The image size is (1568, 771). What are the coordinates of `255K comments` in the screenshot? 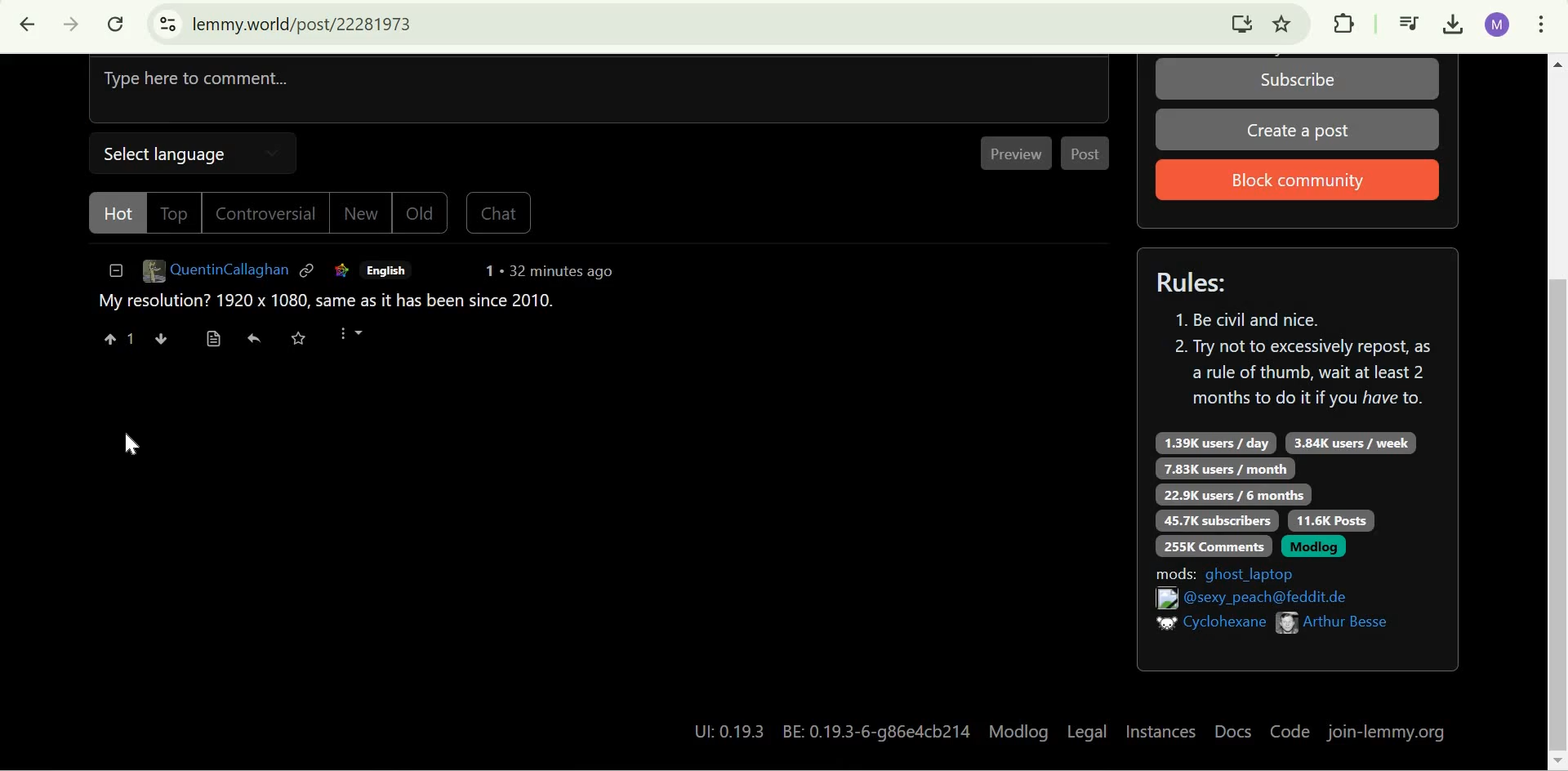 It's located at (1213, 546).